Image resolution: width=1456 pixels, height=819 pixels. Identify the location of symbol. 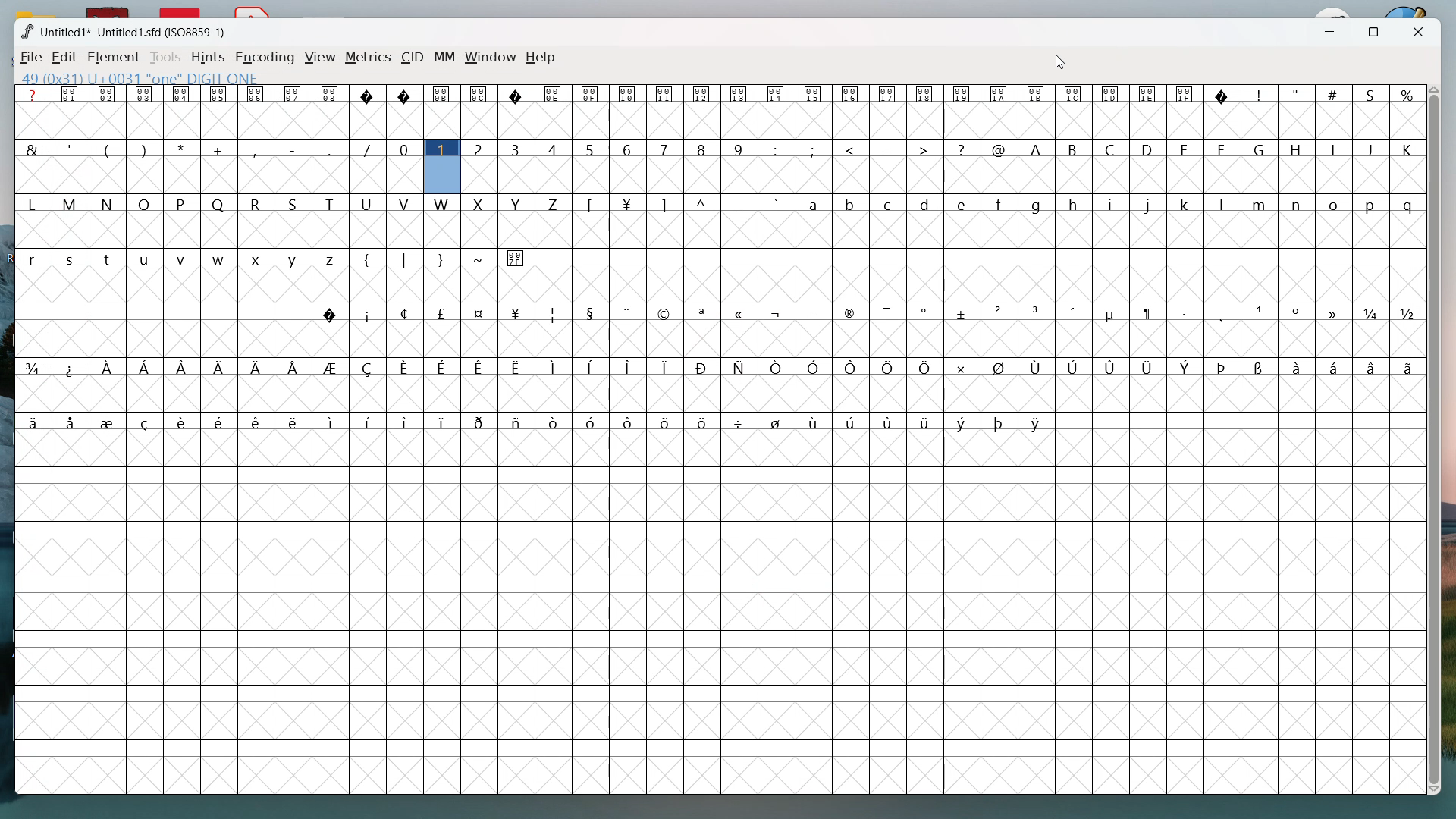
(1036, 366).